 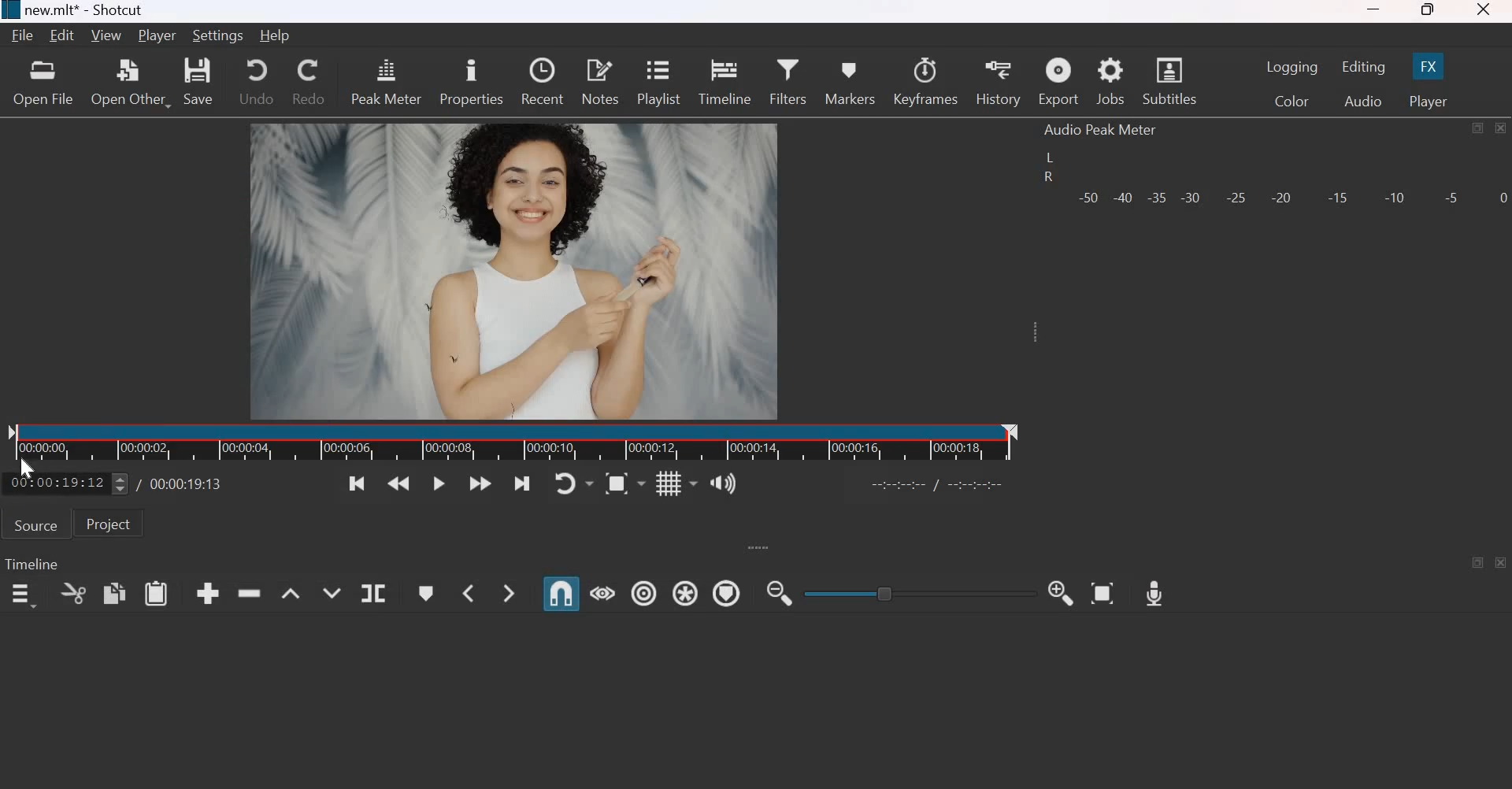 I want to click on cursor, so click(x=35, y=469).